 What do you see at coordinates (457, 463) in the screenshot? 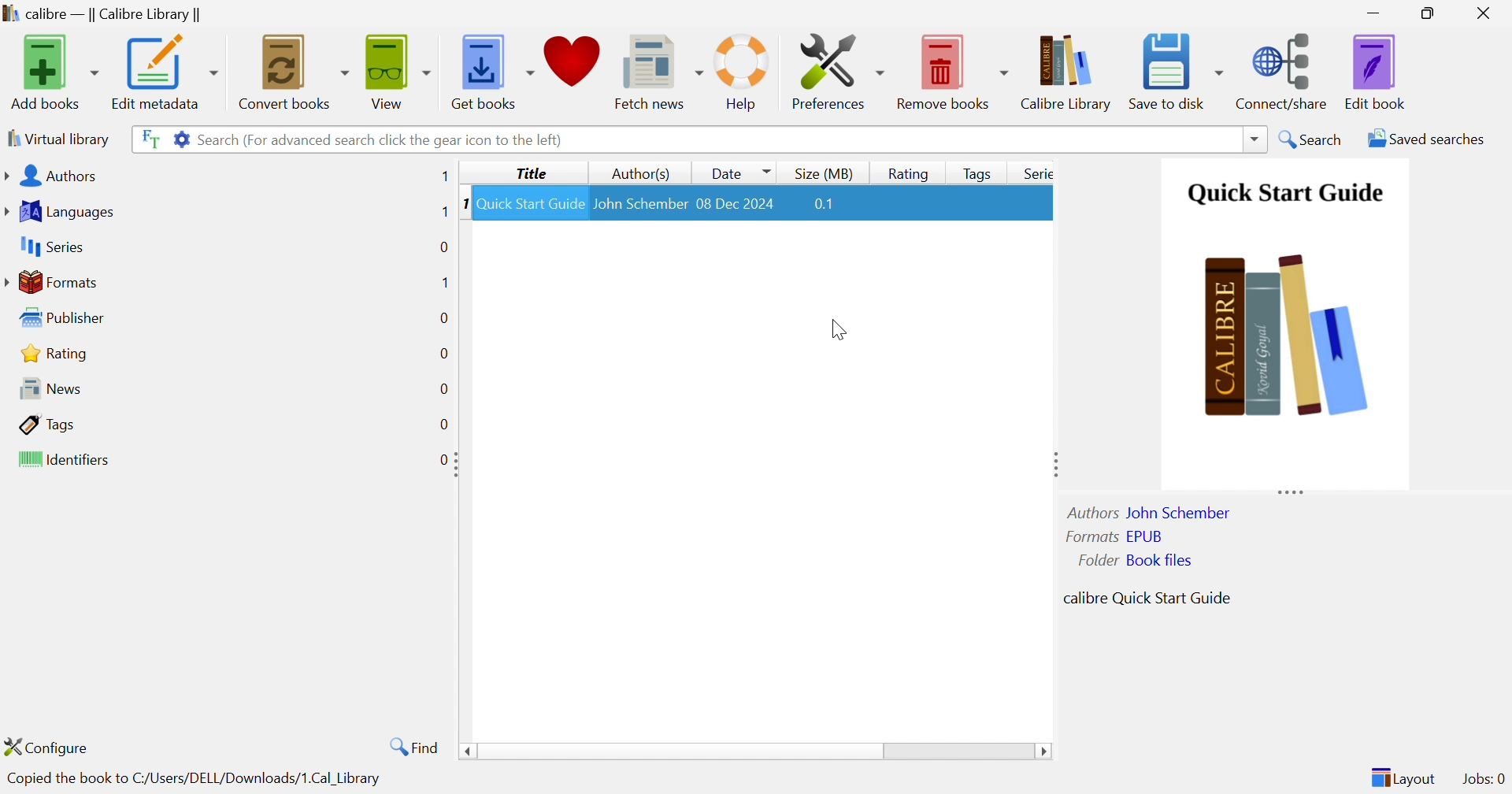
I see `Expand` at bounding box center [457, 463].